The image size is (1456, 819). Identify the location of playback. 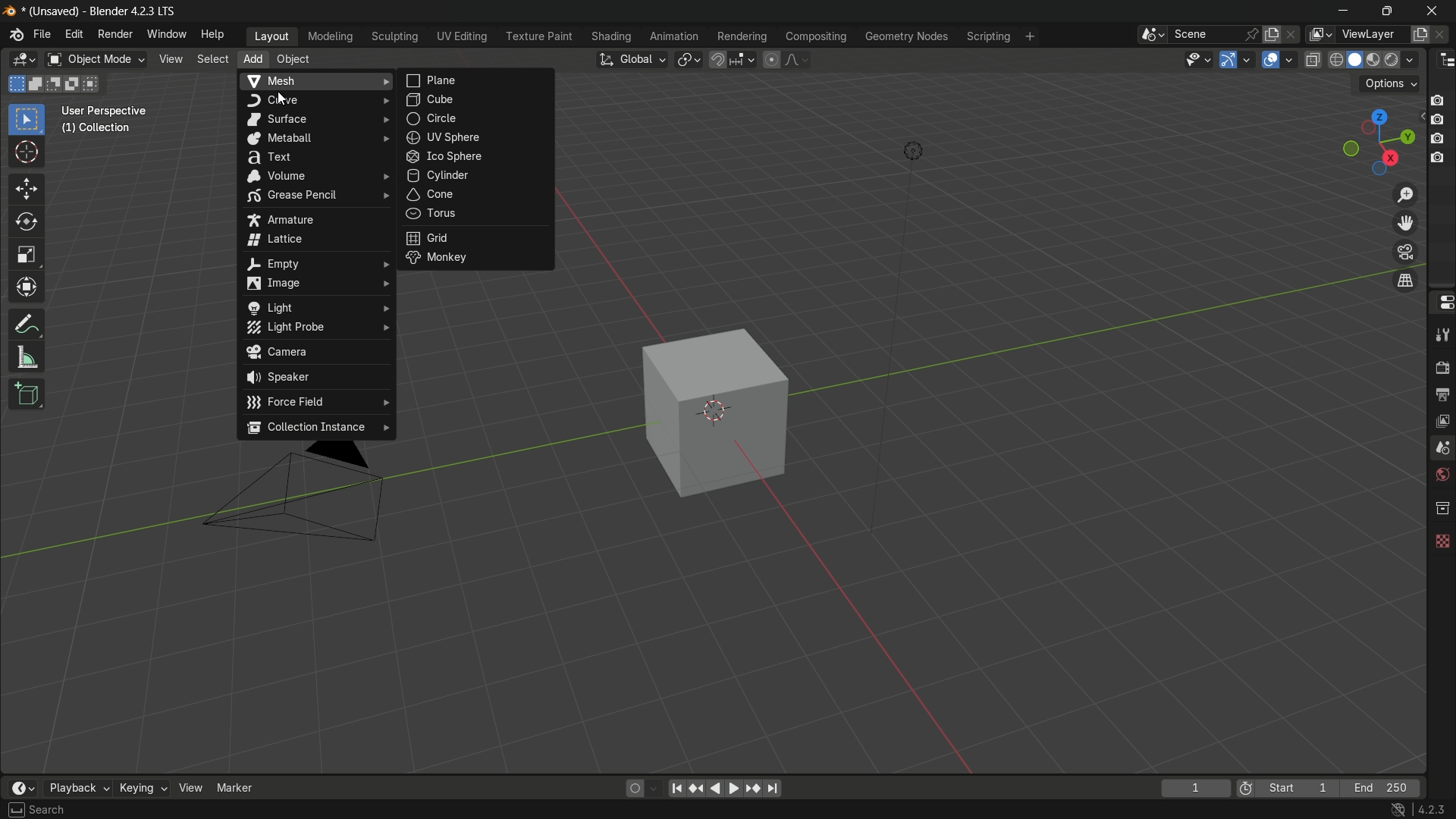
(78, 783).